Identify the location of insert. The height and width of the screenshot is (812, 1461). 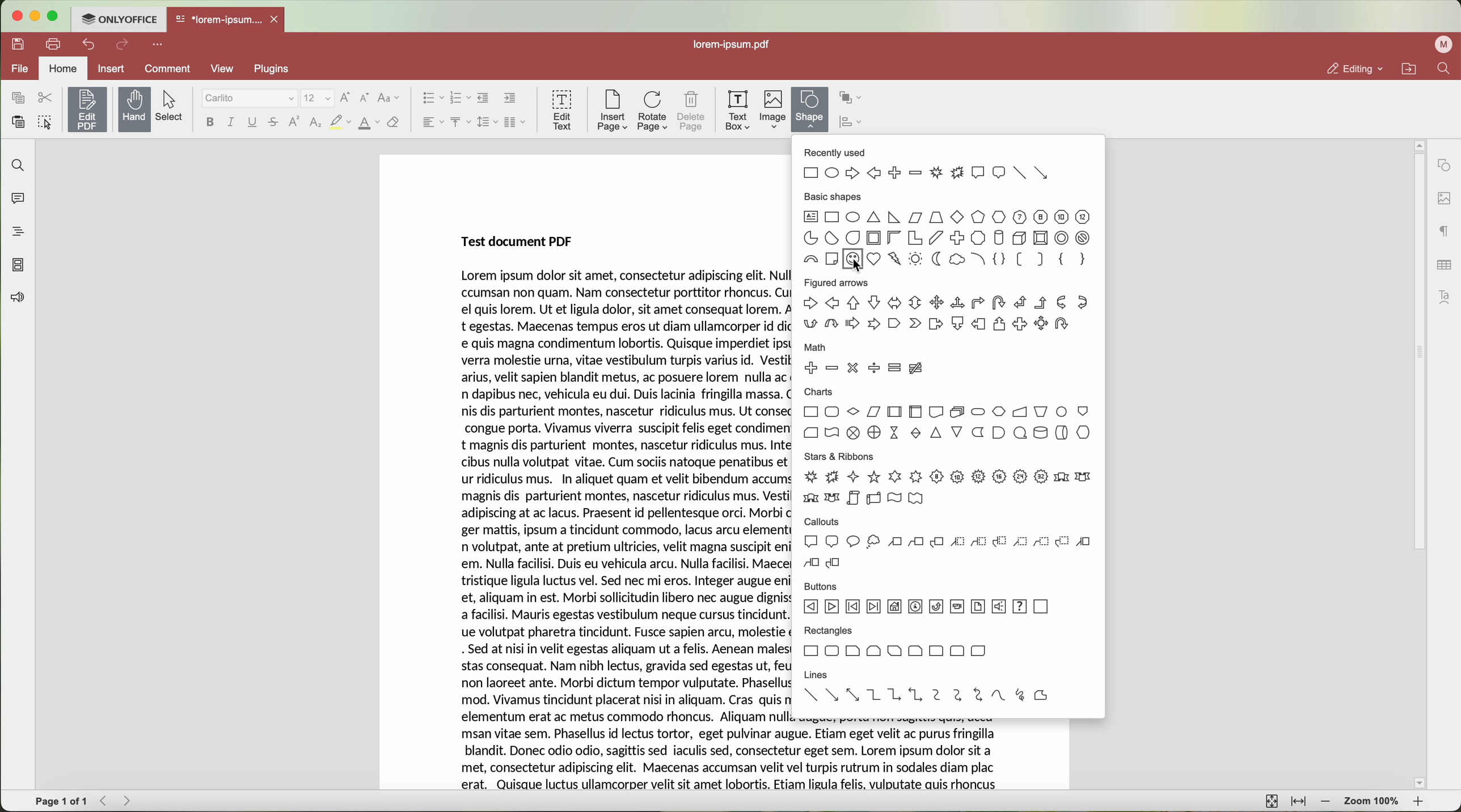
(112, 68).